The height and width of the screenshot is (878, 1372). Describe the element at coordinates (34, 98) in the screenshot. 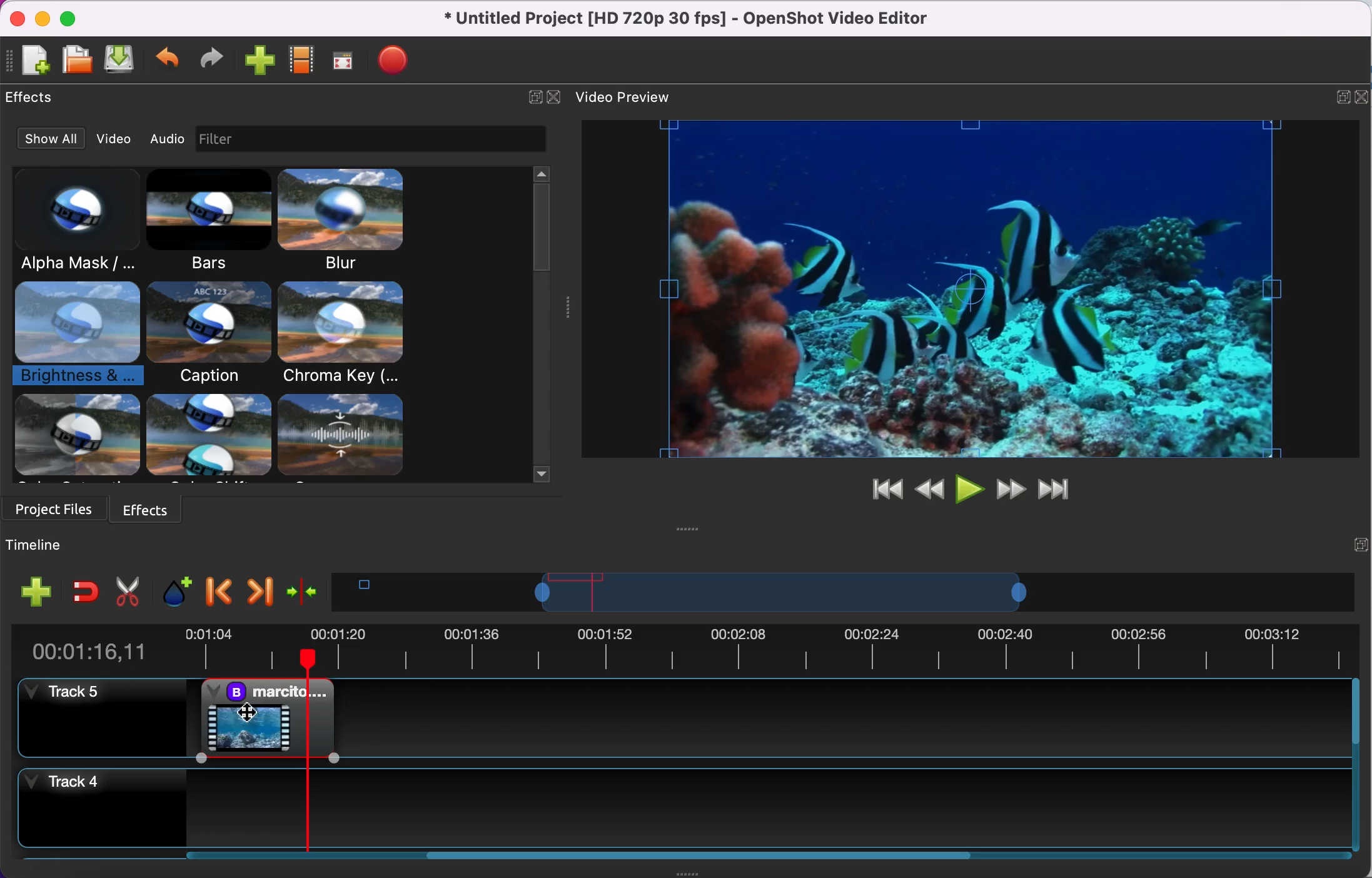

I see `effecs` at that location.